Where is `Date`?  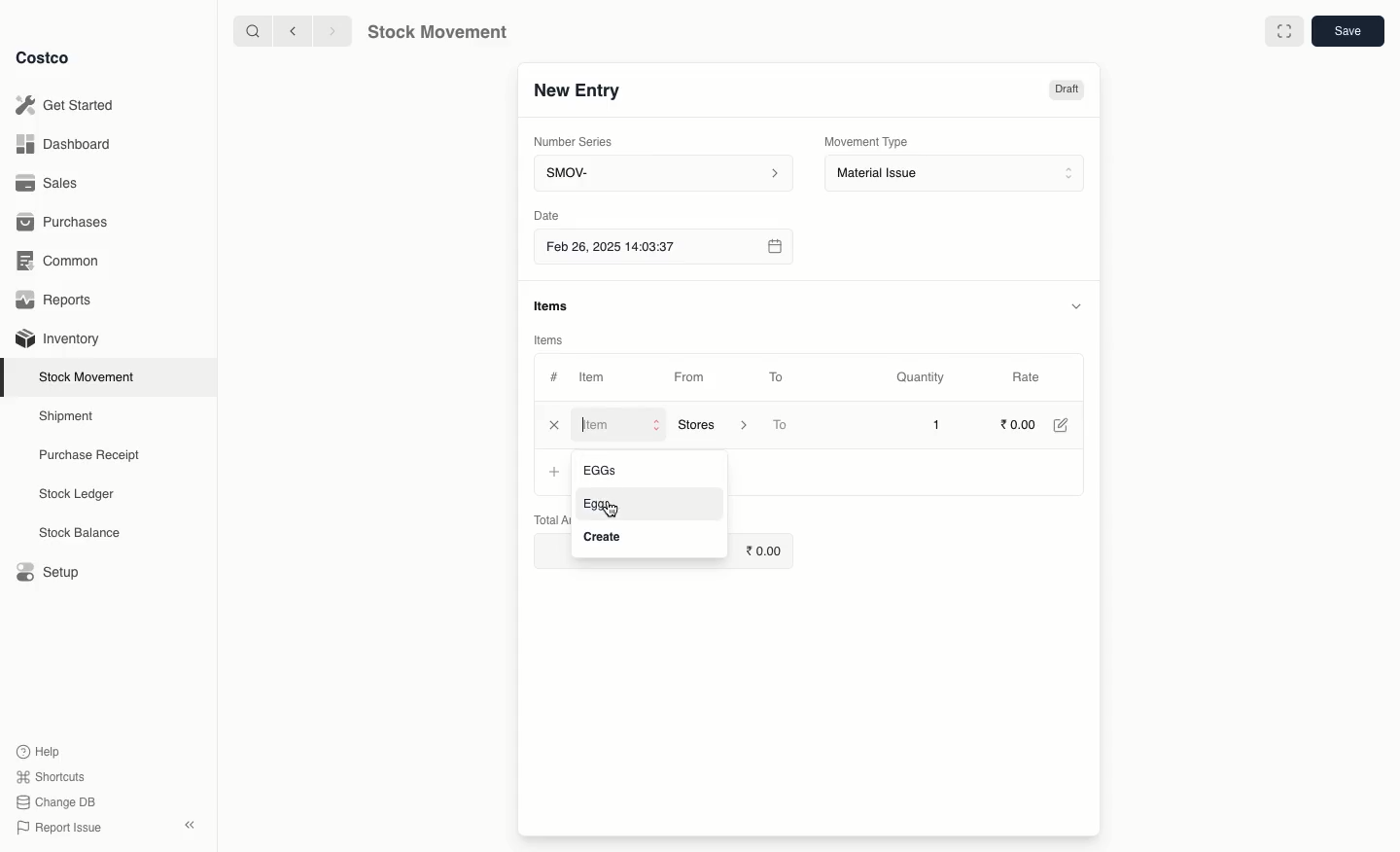
Date is located at coordinates (545, 215).